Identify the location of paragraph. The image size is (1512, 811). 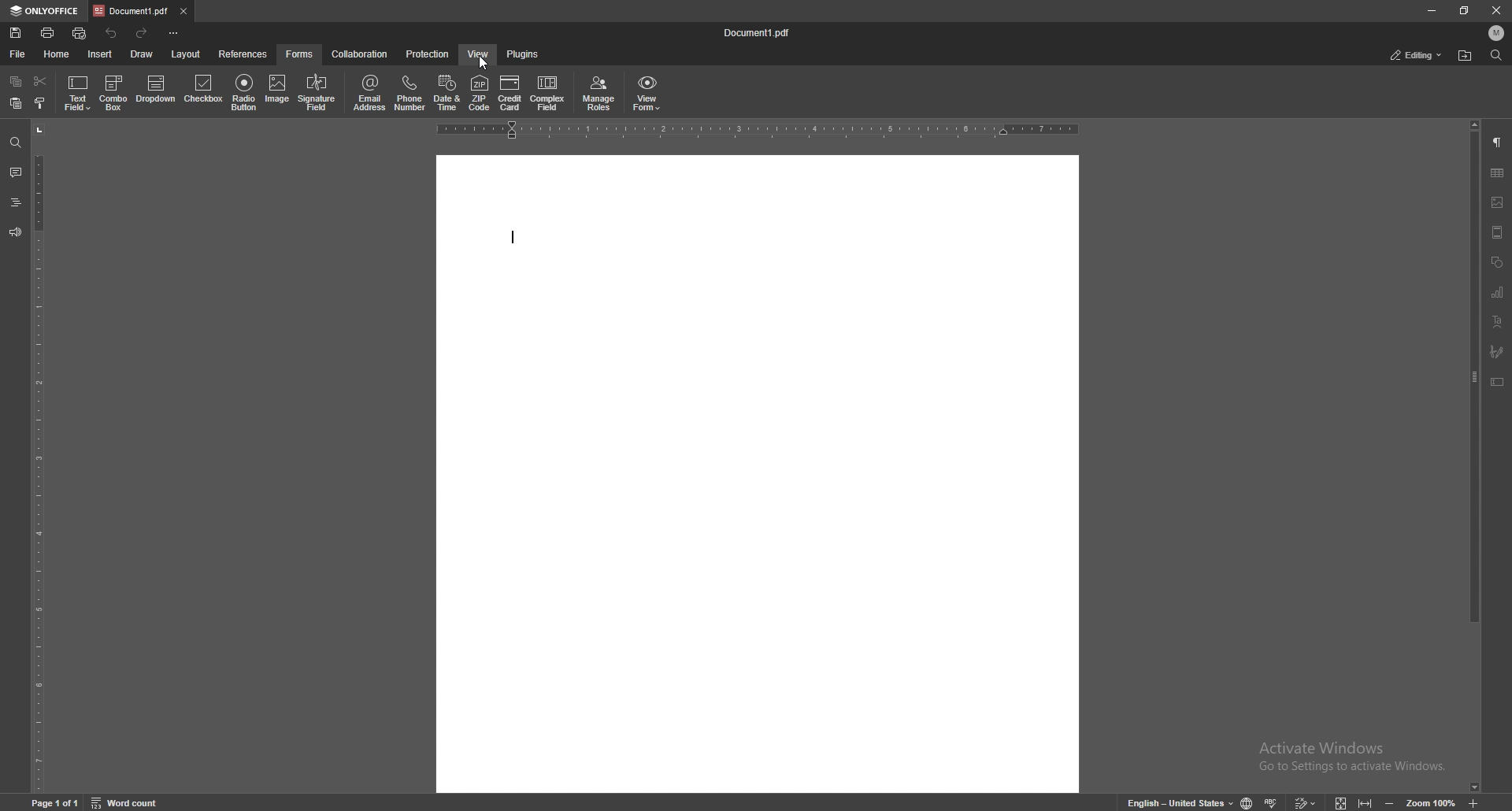
(1498, 143).